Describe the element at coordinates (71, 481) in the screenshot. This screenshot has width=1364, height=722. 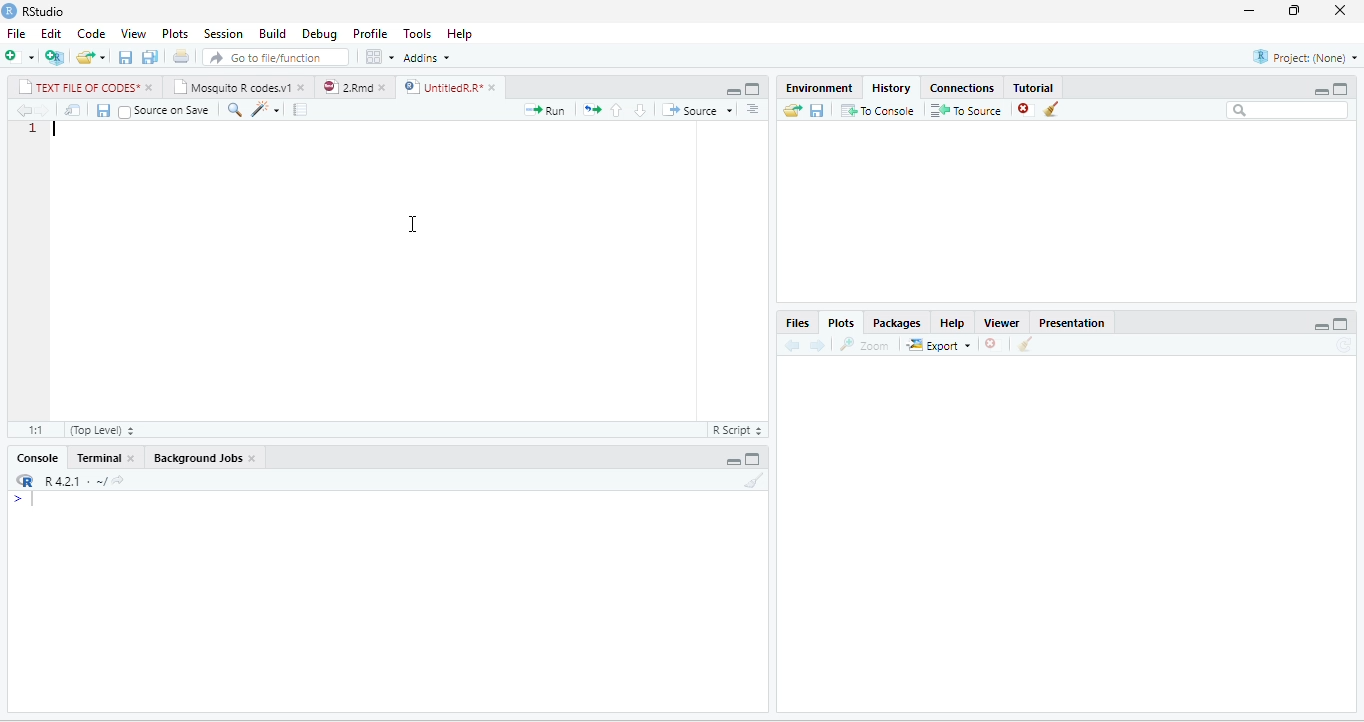
I see `R 4.2.1 .~/` at that location.